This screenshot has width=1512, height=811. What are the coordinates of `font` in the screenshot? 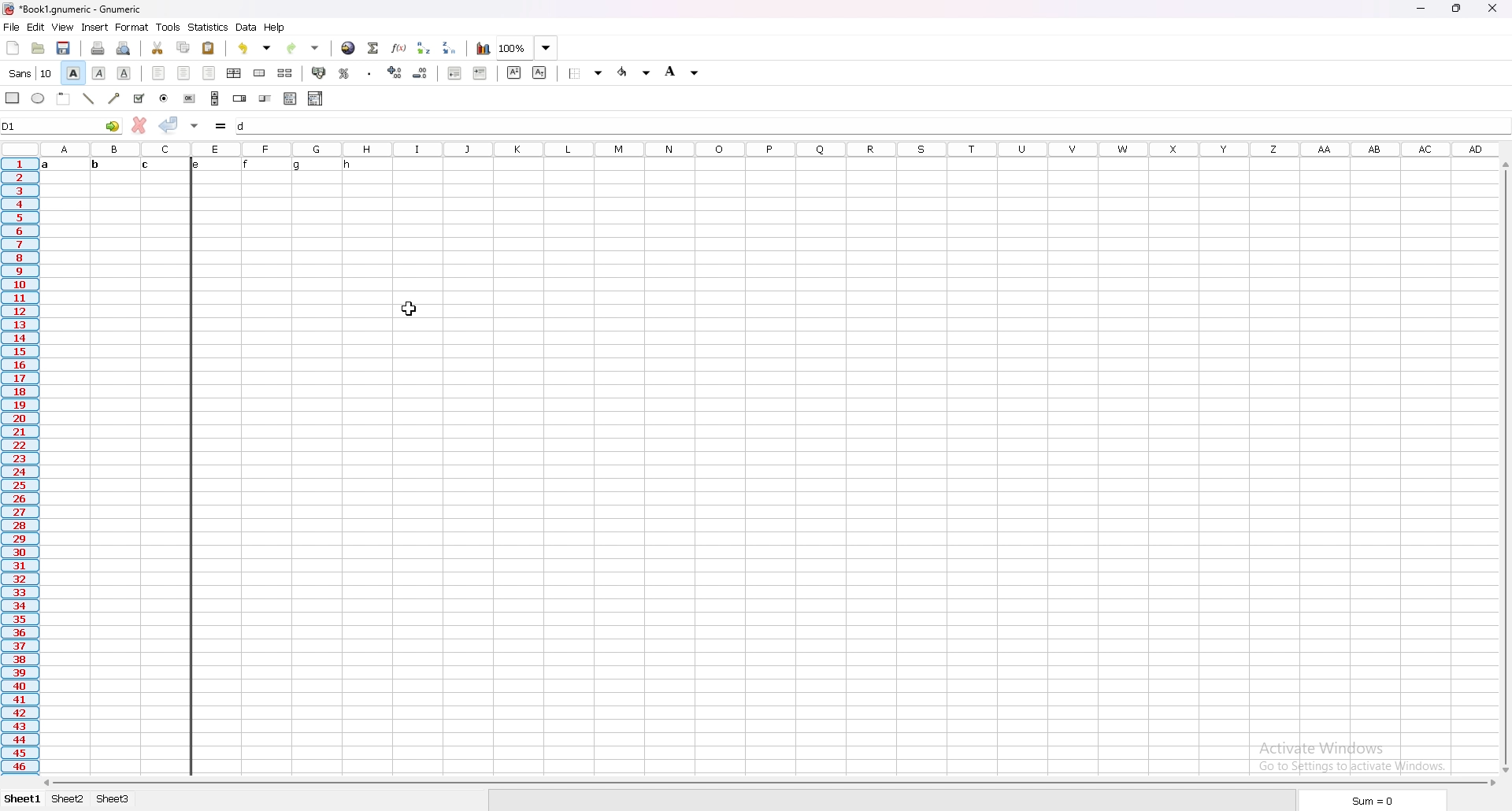 It's located at (31, 72).